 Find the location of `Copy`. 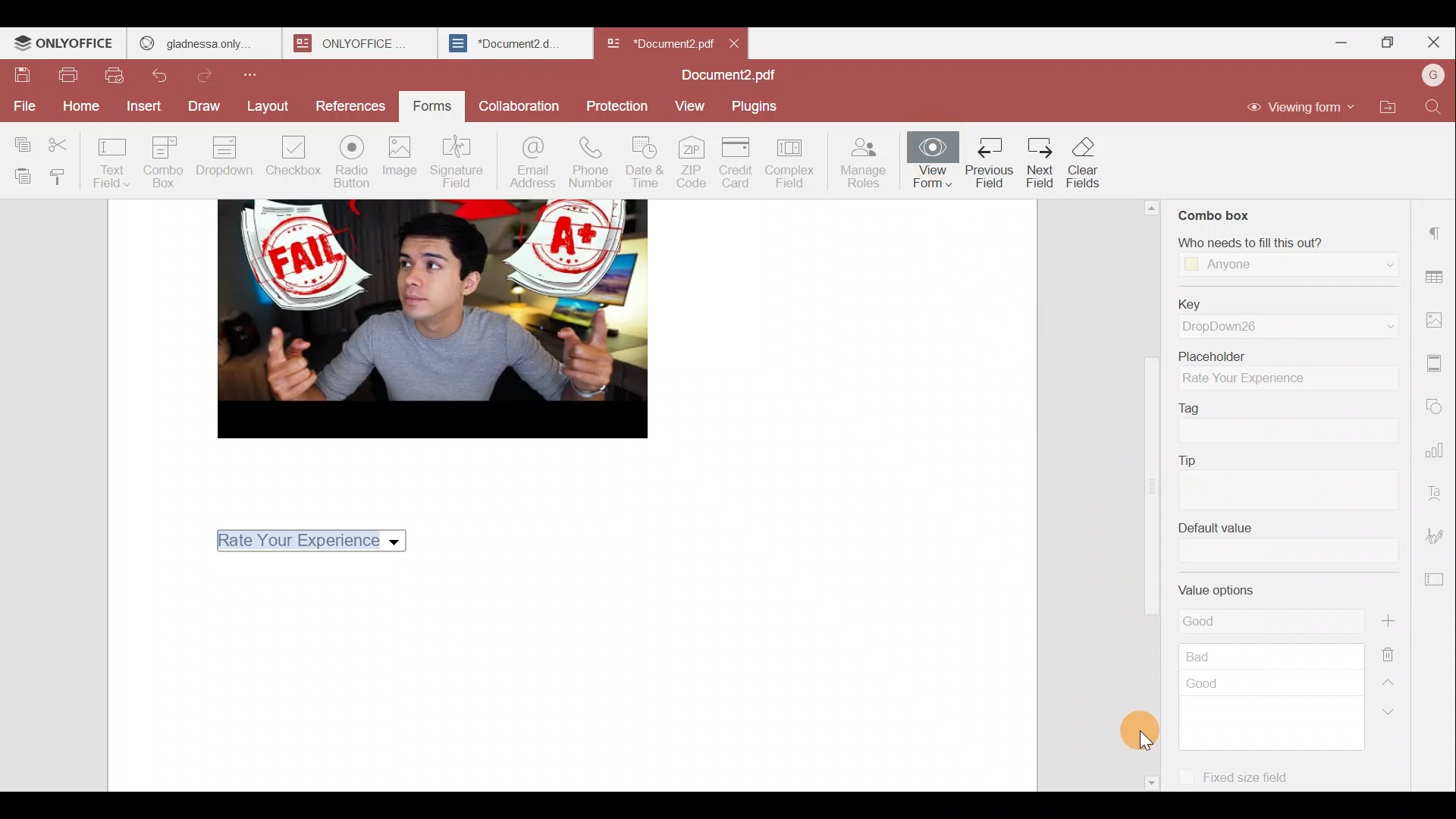

Copy is located at coordinates (22, 141).